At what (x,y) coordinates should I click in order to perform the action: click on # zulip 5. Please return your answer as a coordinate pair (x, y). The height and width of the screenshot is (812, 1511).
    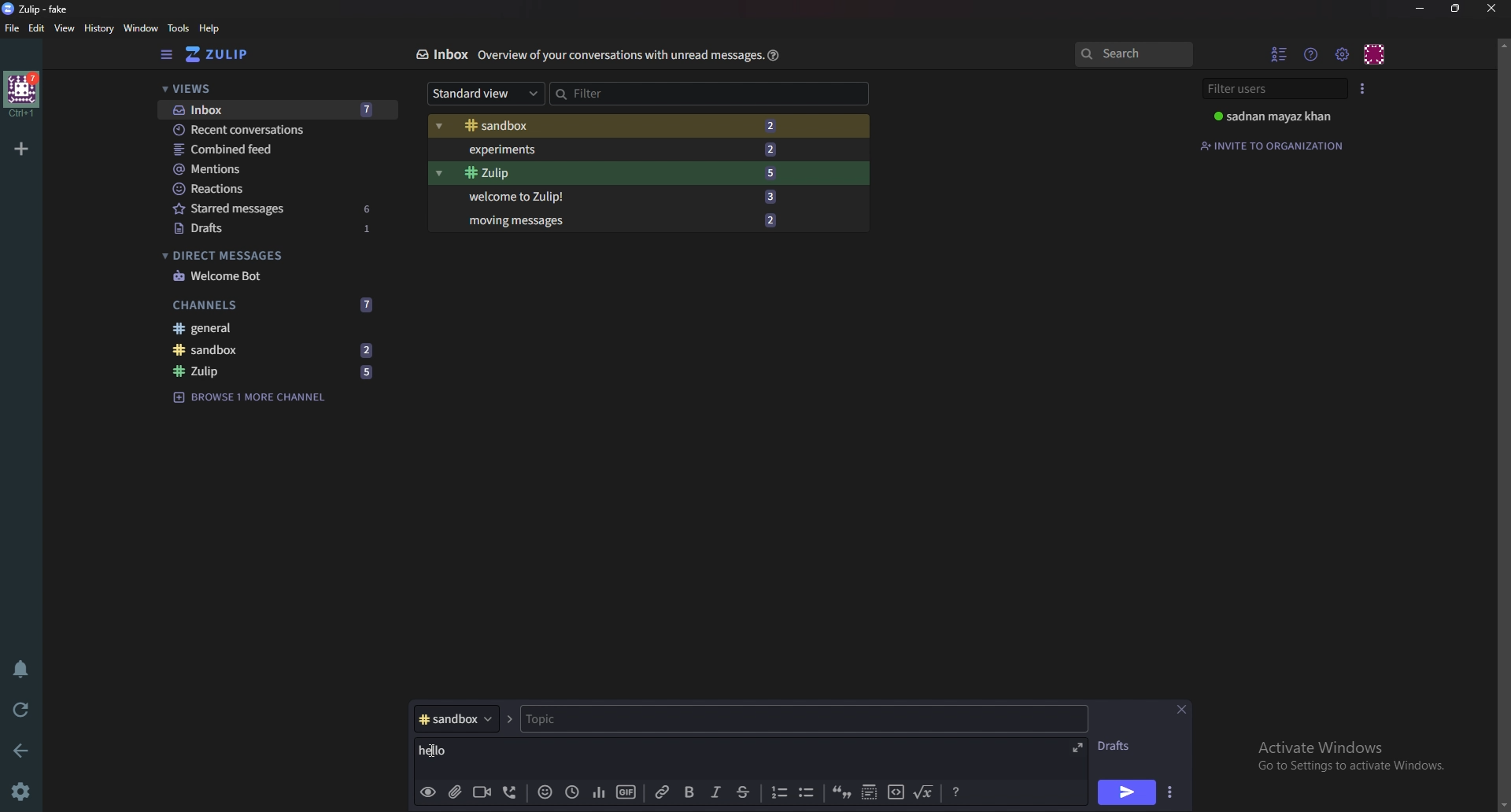
    Looking at the image, I should click on (278, 372).